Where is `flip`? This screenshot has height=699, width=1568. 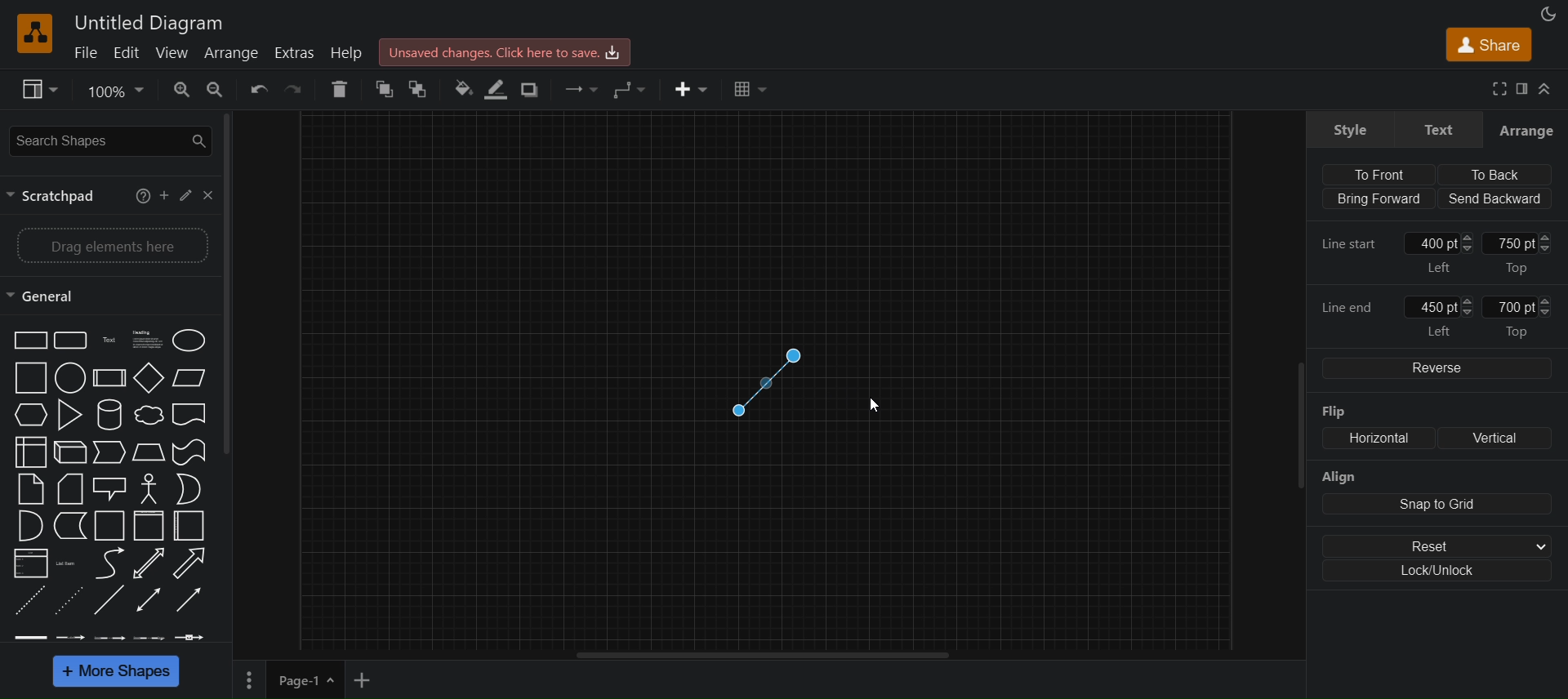 flip is located at coordinates (1347, 413).